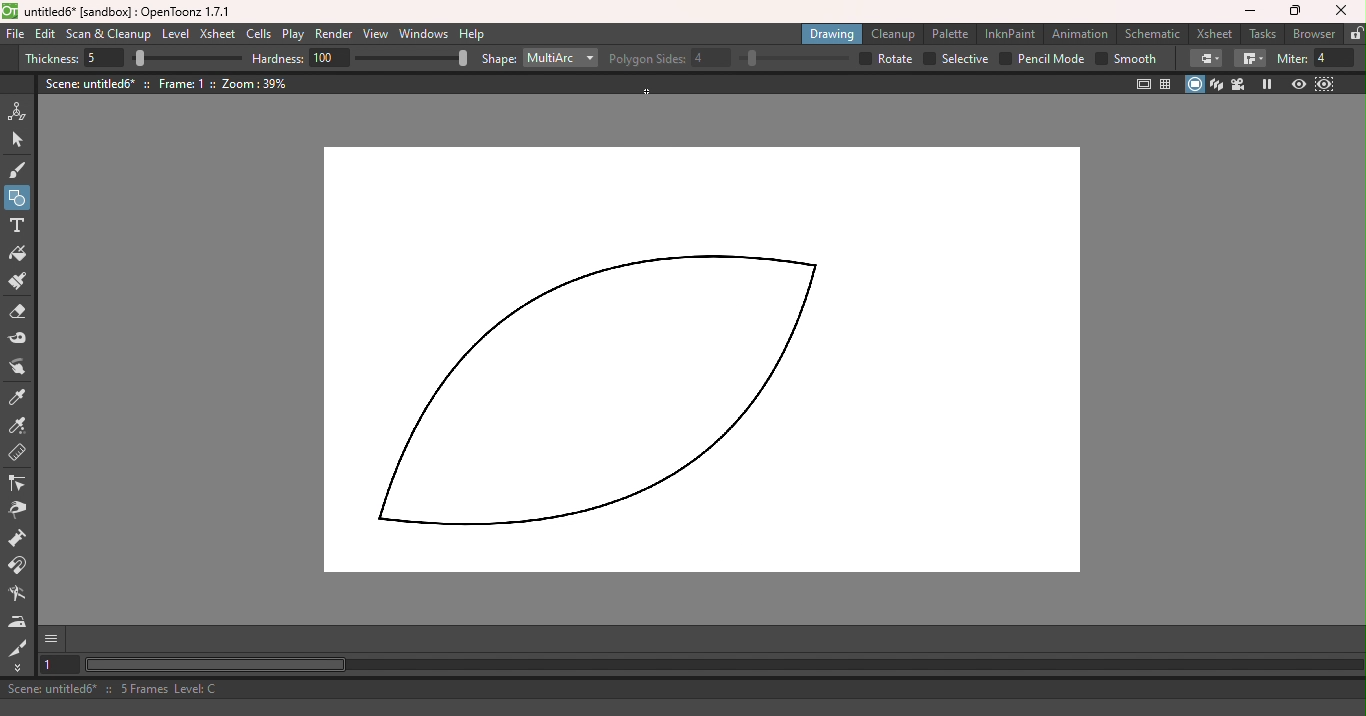  Describe the element at coordinates (21, 513) in the screenshot. I see `Pinch tool` at that location.